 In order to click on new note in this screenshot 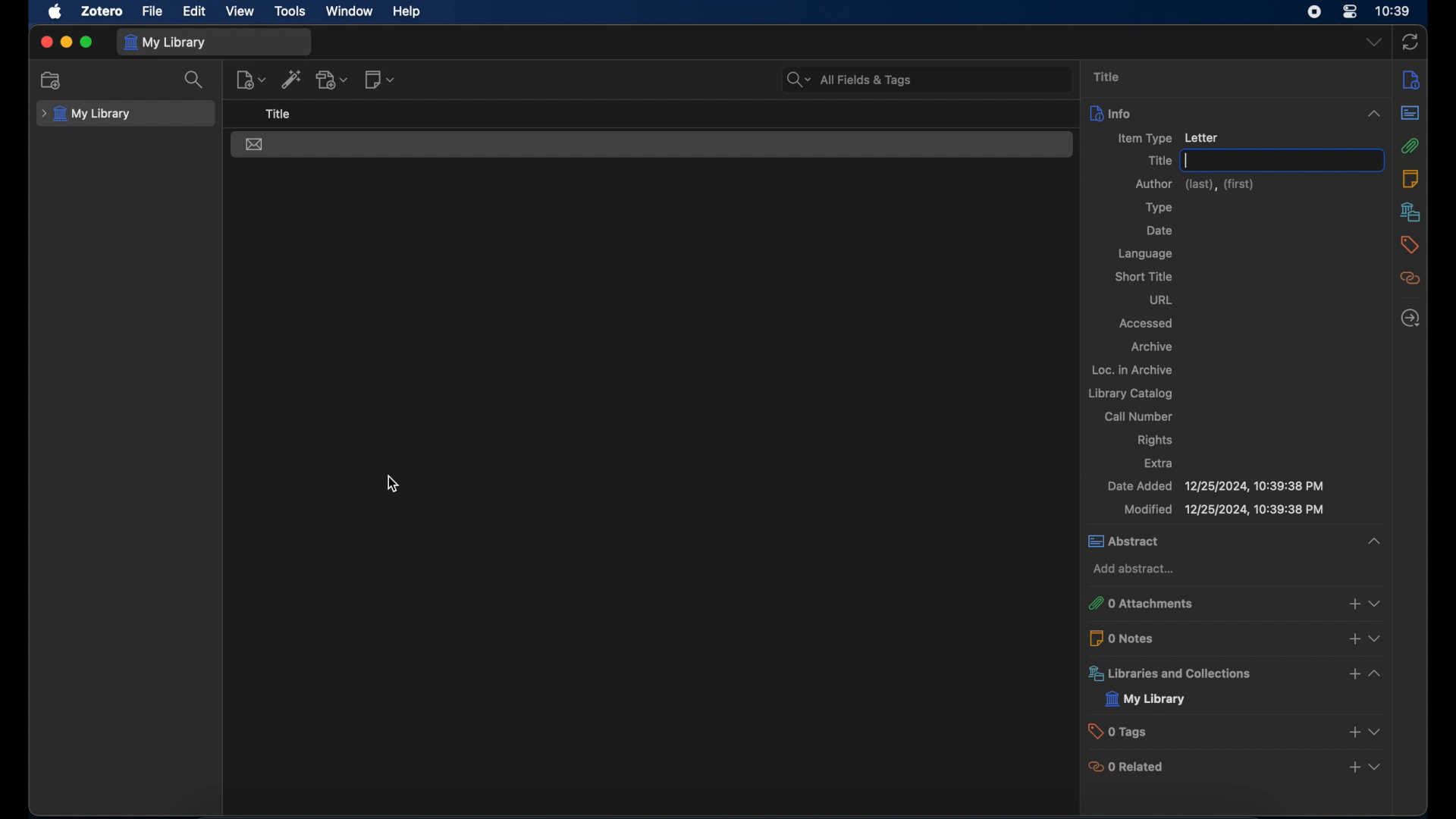, I will do `click(378, 80)`.